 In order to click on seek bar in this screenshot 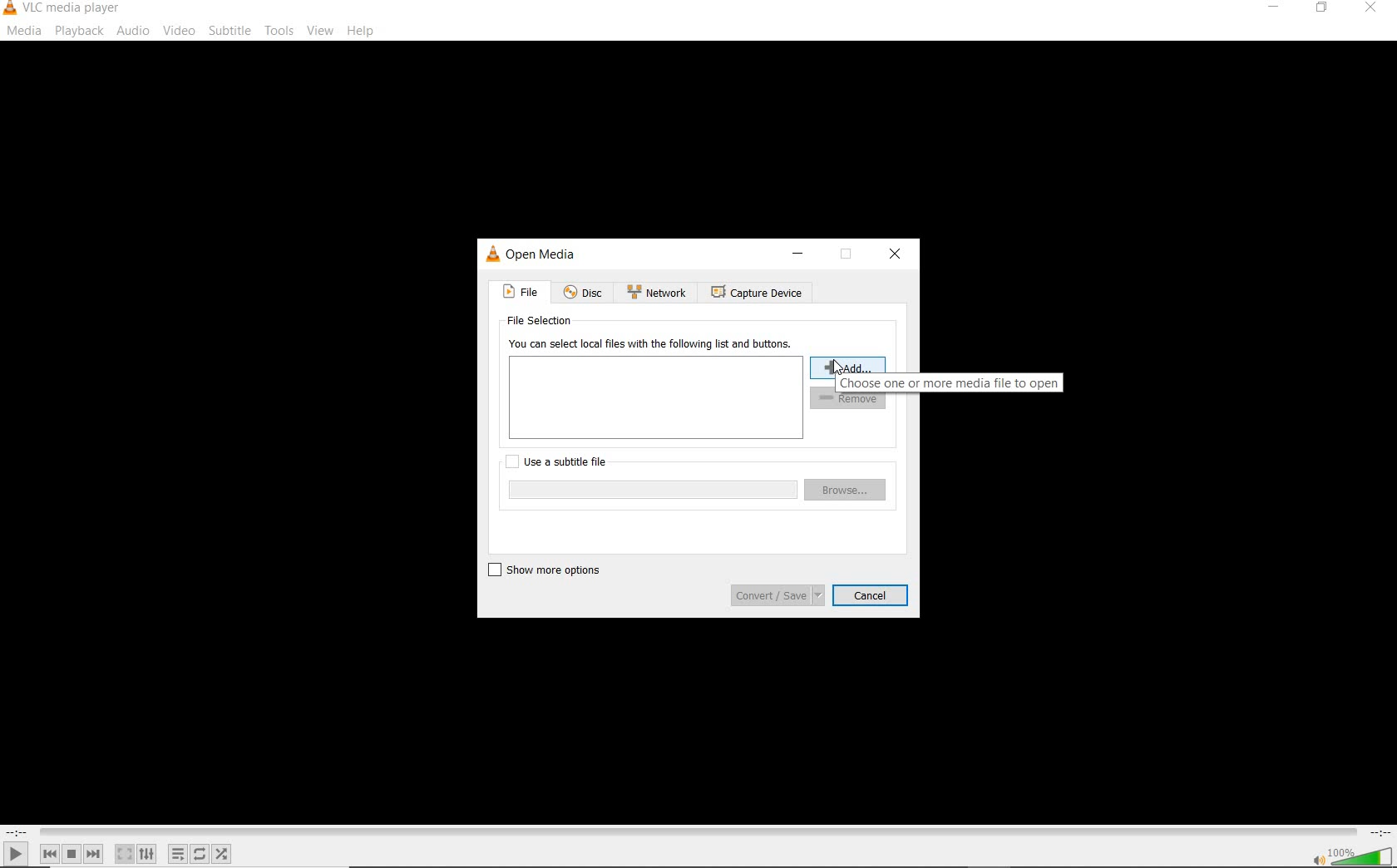, I will do `click(696, 832)`.